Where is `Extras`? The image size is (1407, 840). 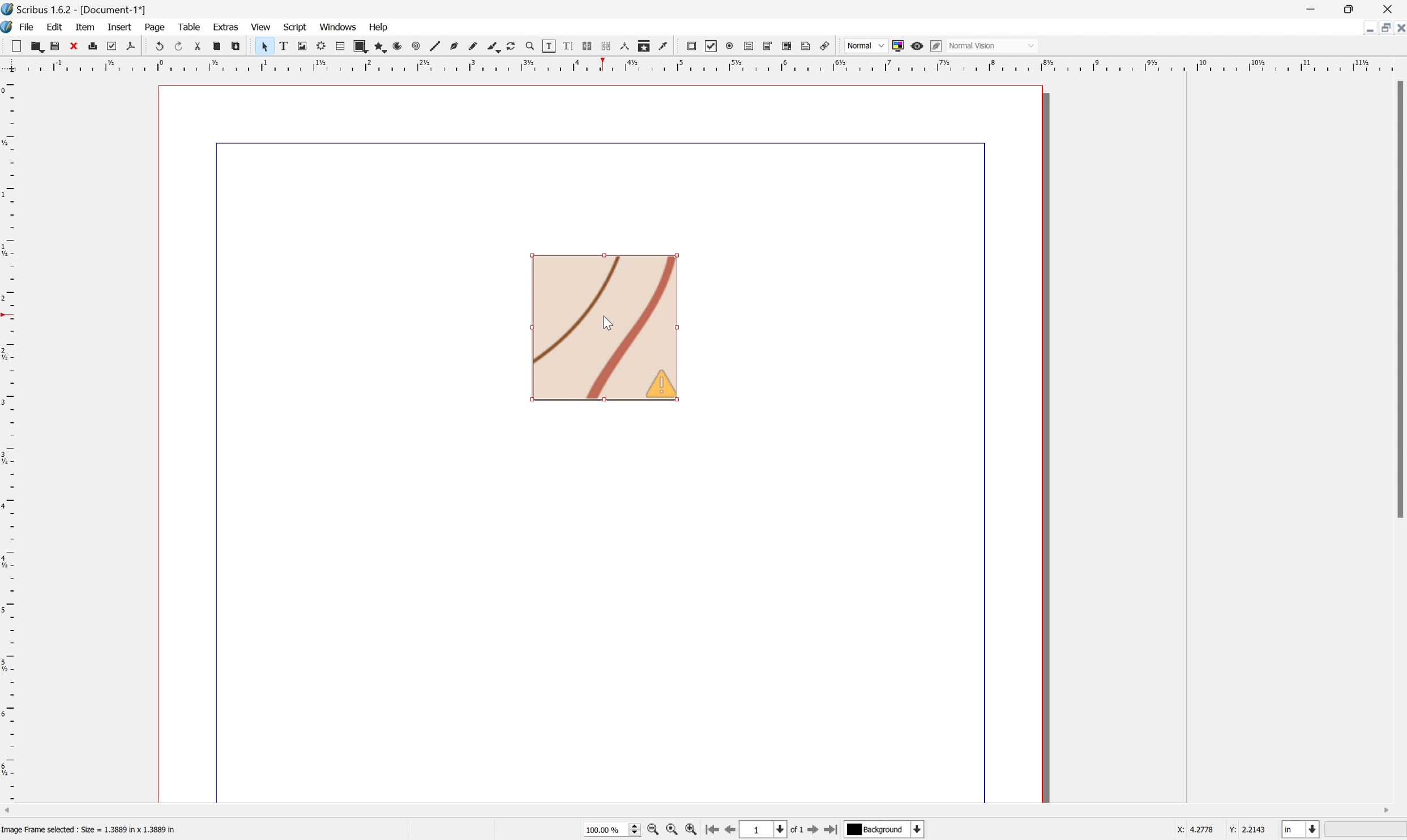
Extras is located at coordinates (226, 29).